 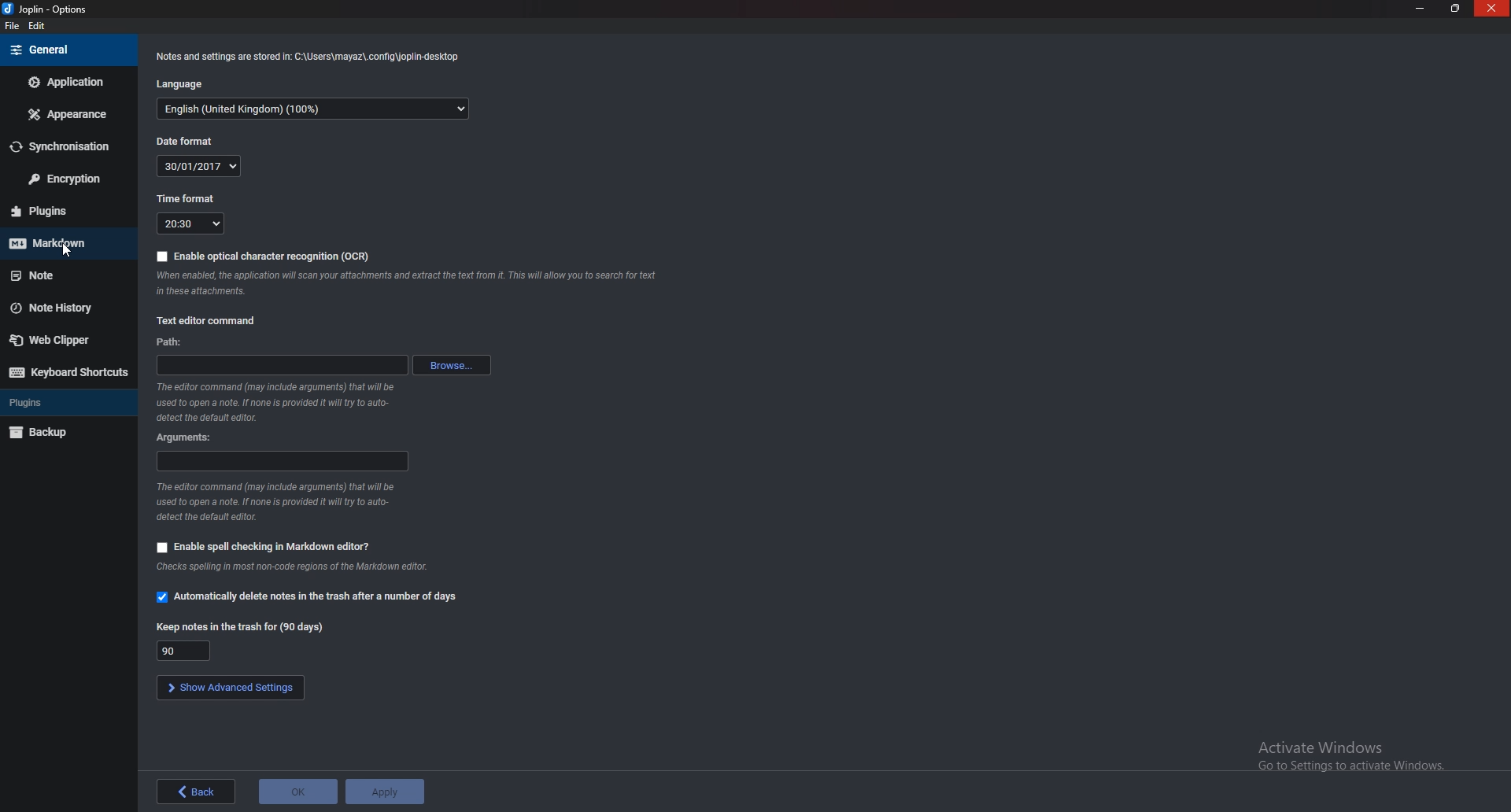 What do you see at coordinates (190, 223) in the screenshot?
I see `20:30` at bounding box center [190, 223].